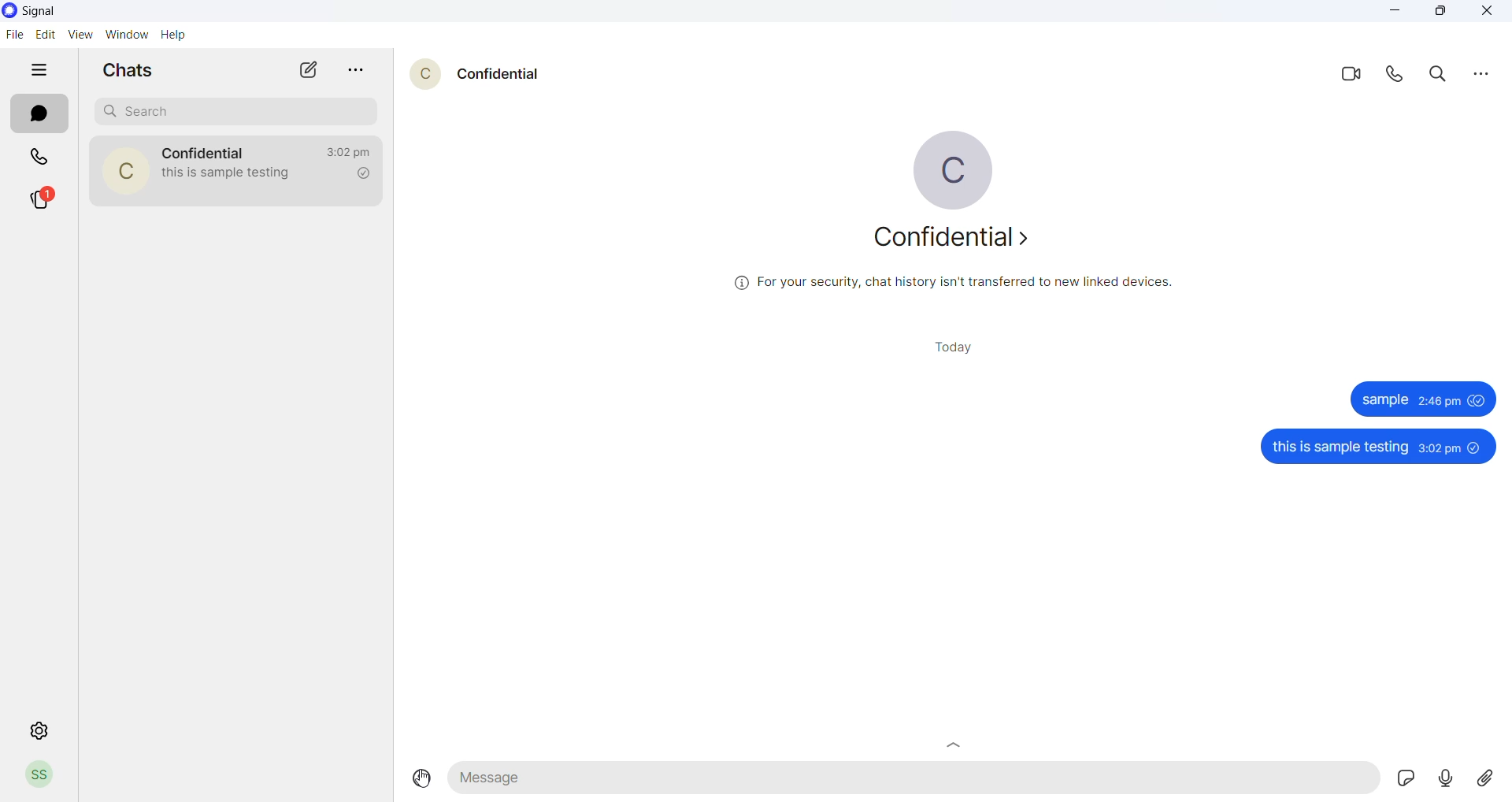 This screenshot has width=1512, height=802. I want to click on profile, so click(42, 775).